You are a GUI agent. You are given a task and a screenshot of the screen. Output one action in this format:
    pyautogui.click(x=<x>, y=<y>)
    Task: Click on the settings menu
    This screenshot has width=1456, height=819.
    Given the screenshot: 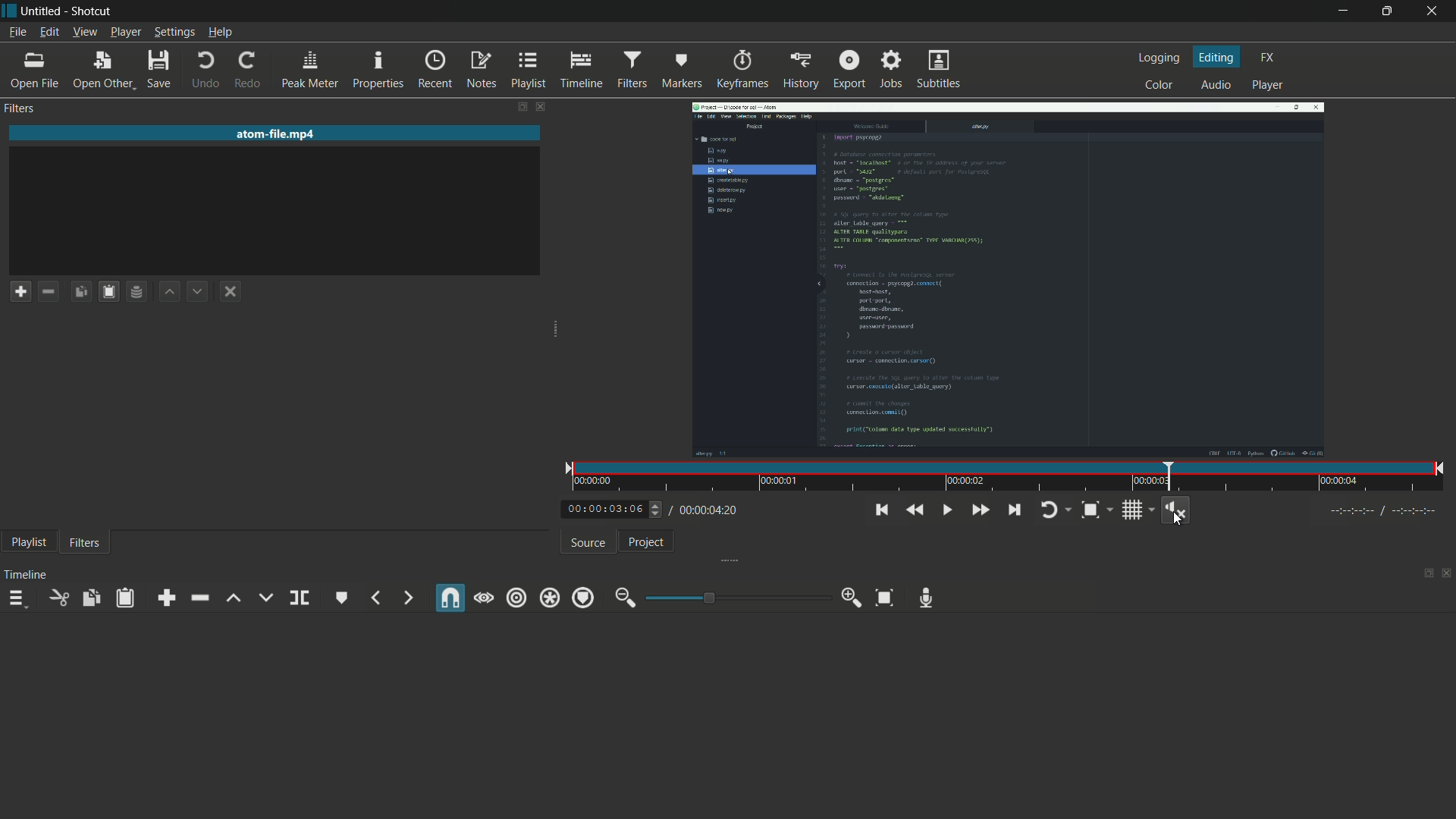 What is the action you would take?
    pyautogui.click(x=174, y=32)
    